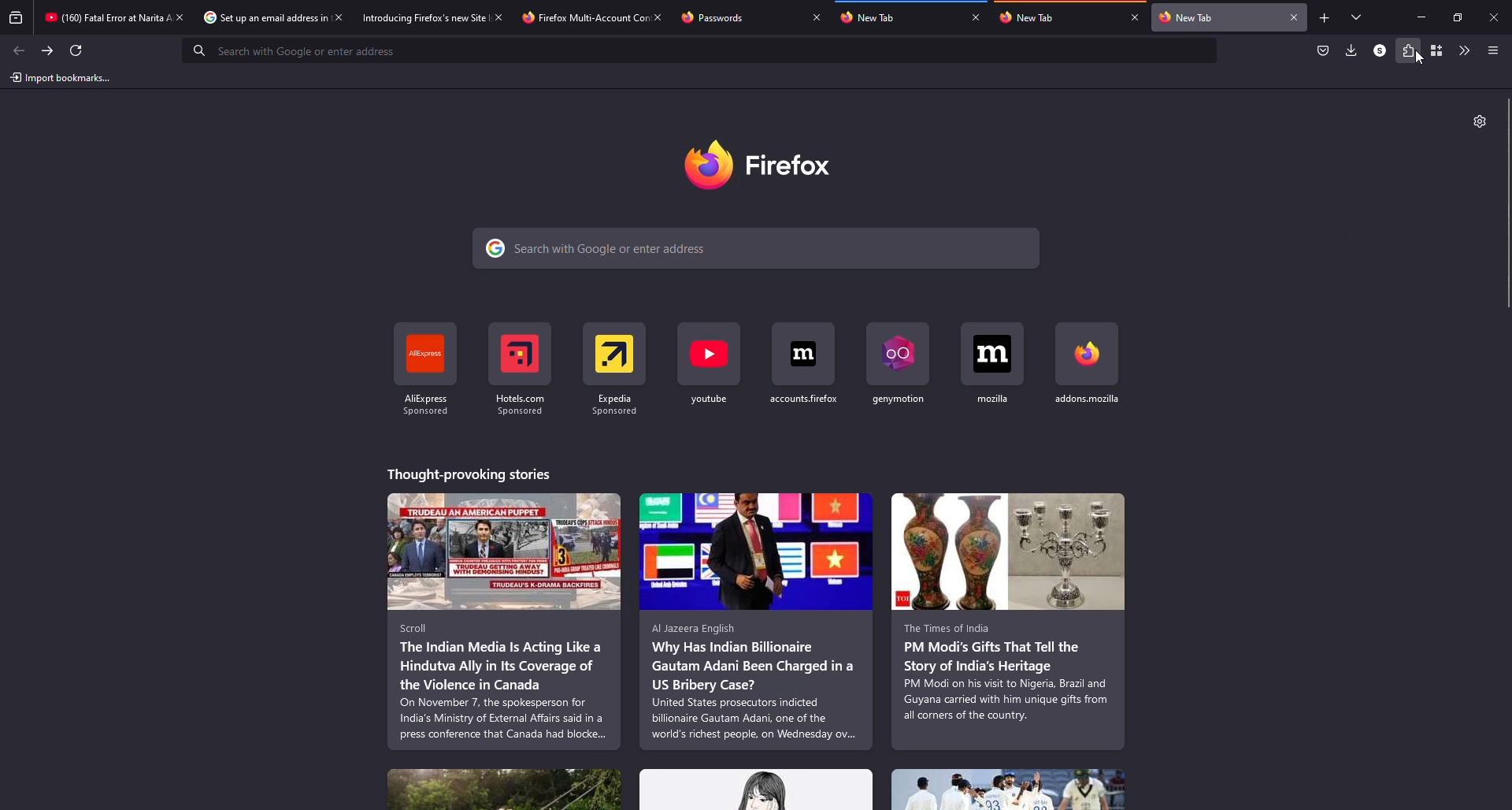  Describe the element at coordinates (658, 17) in the screenshot. I see `close` at that location.